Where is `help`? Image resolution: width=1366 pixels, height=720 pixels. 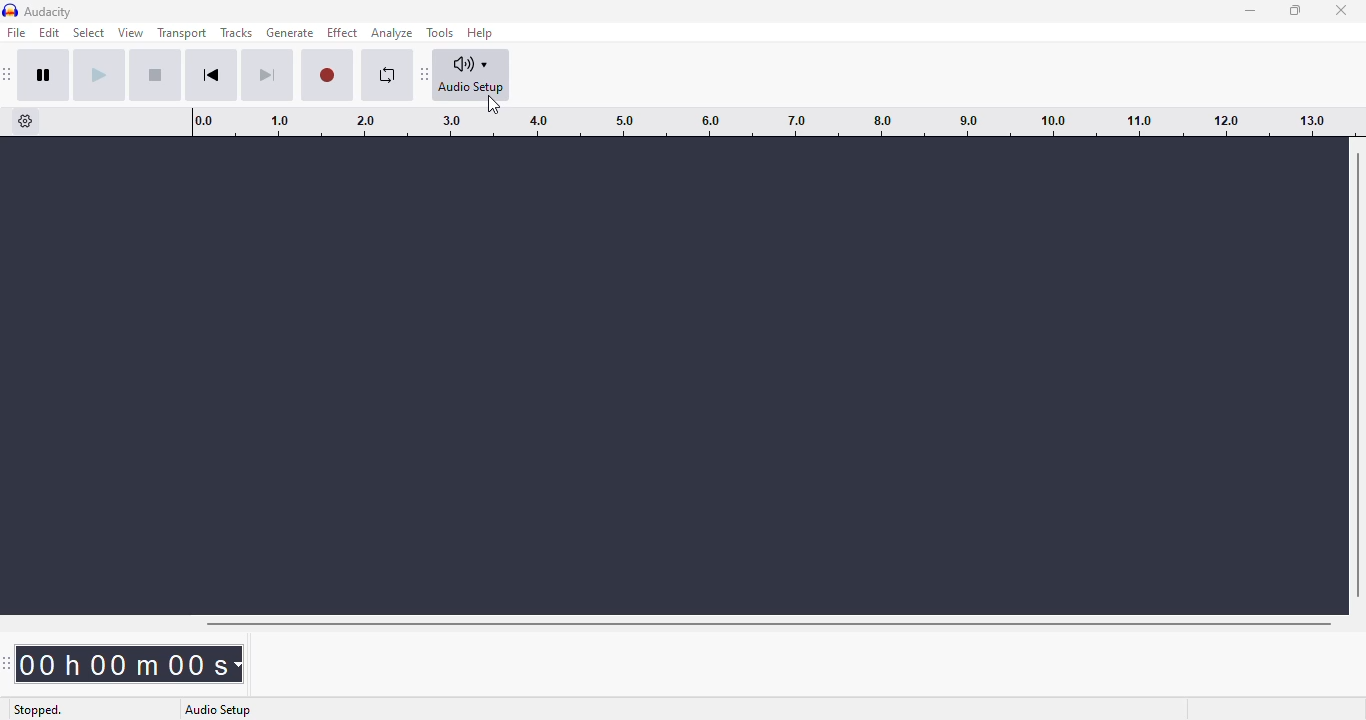
help is located at coordinates (481, 32).